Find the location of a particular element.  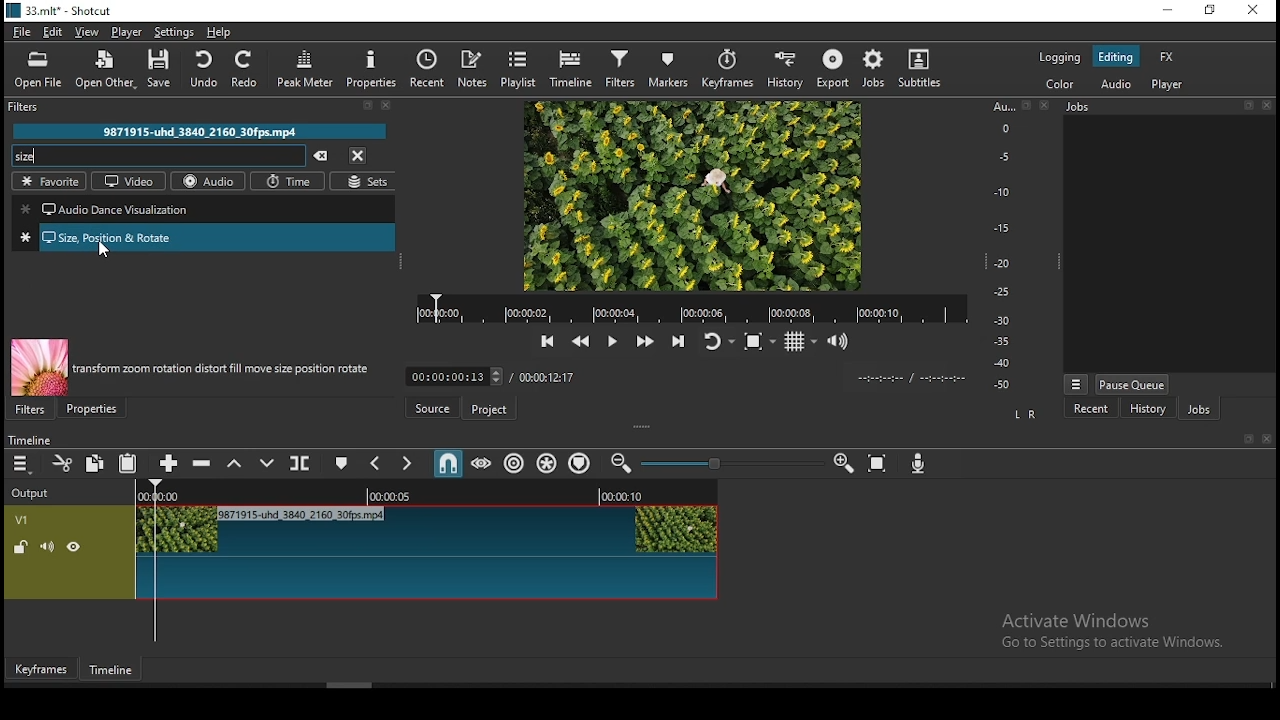

play/pause is located at coordinates (612, 341).